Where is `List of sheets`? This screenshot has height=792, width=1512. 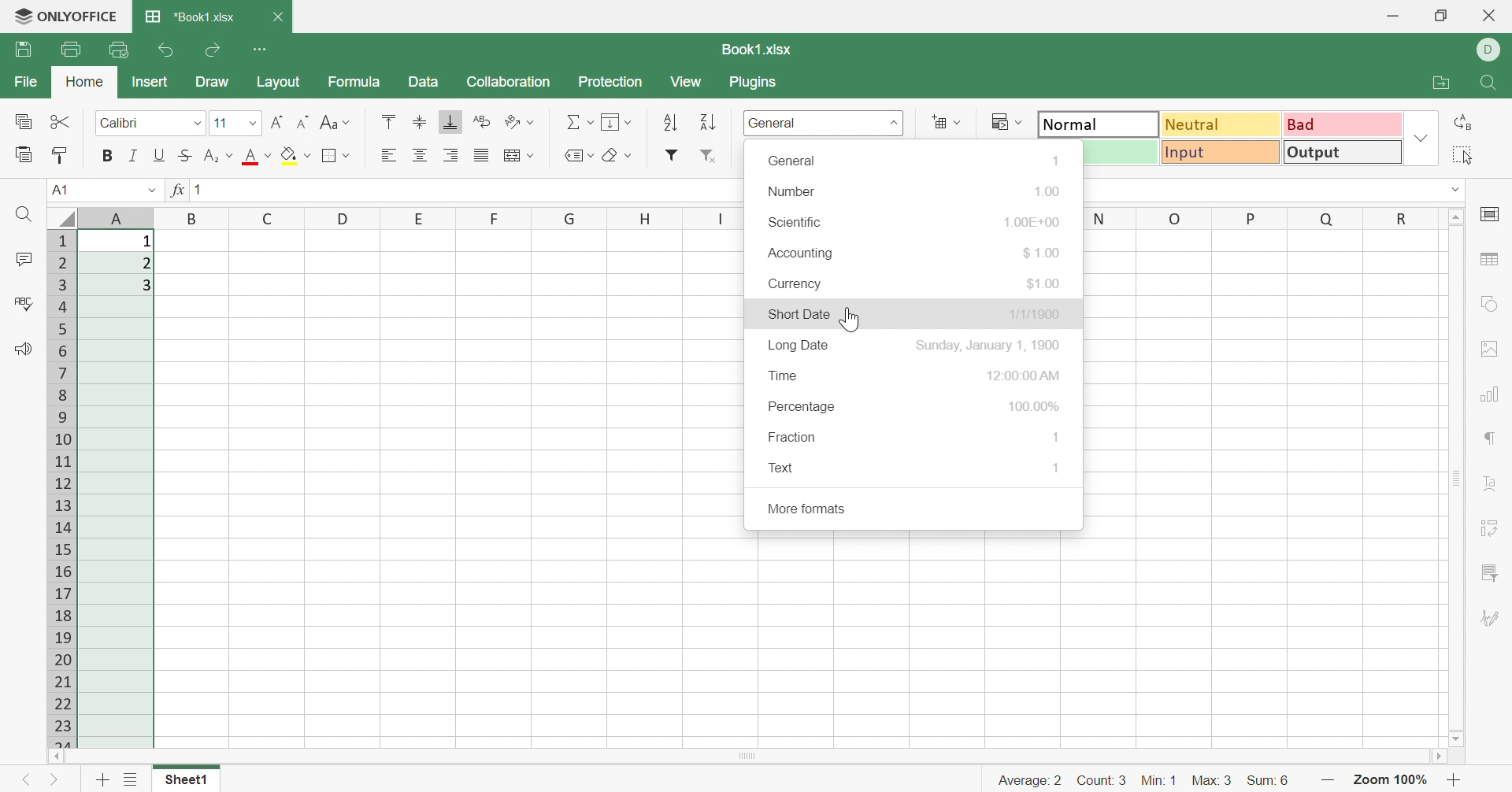 List of sheets is located at coordinates (130, 781).